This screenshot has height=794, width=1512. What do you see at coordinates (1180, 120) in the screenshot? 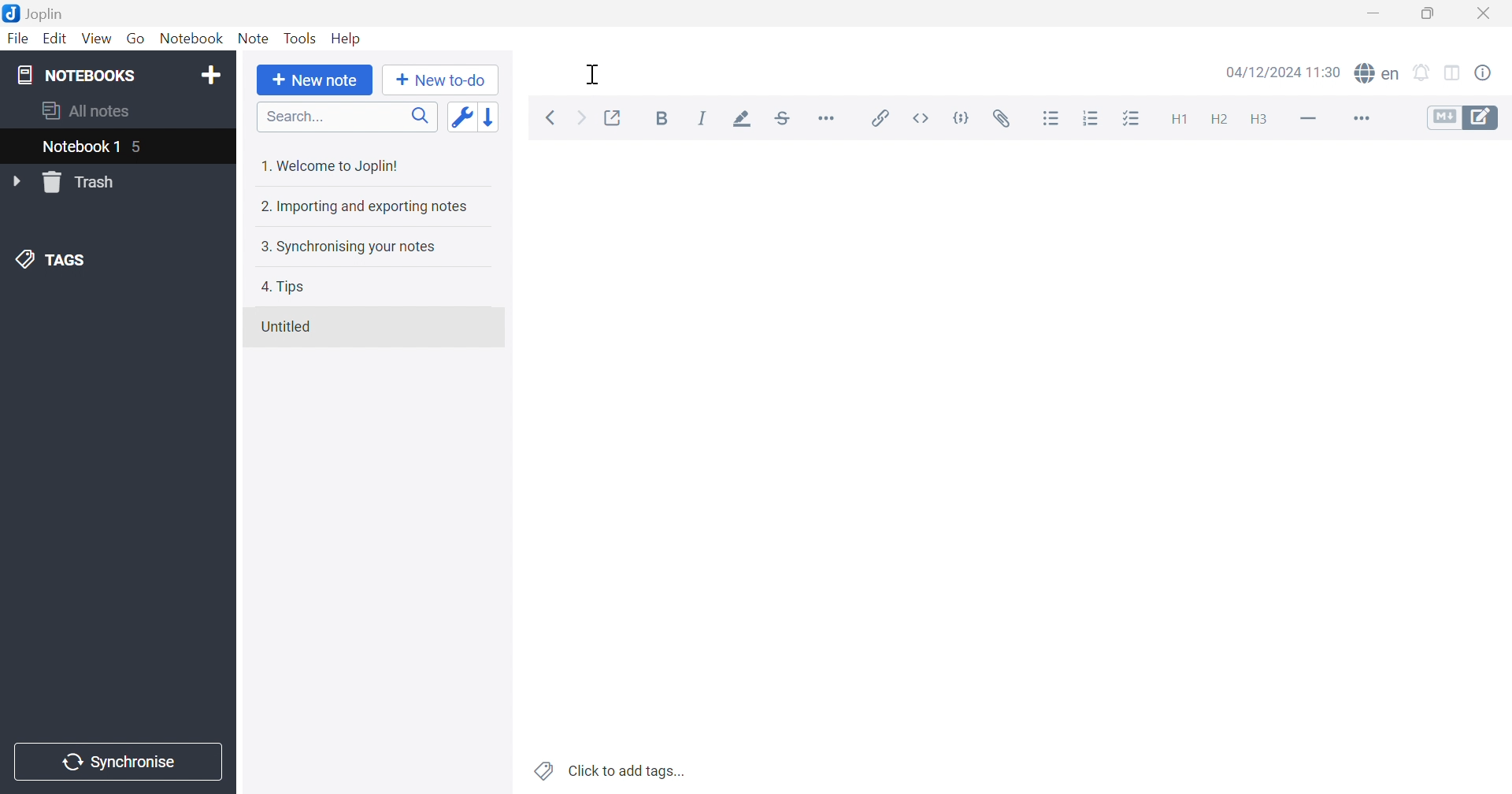
I see `Heading 1` at bounding box center [1180, 120].